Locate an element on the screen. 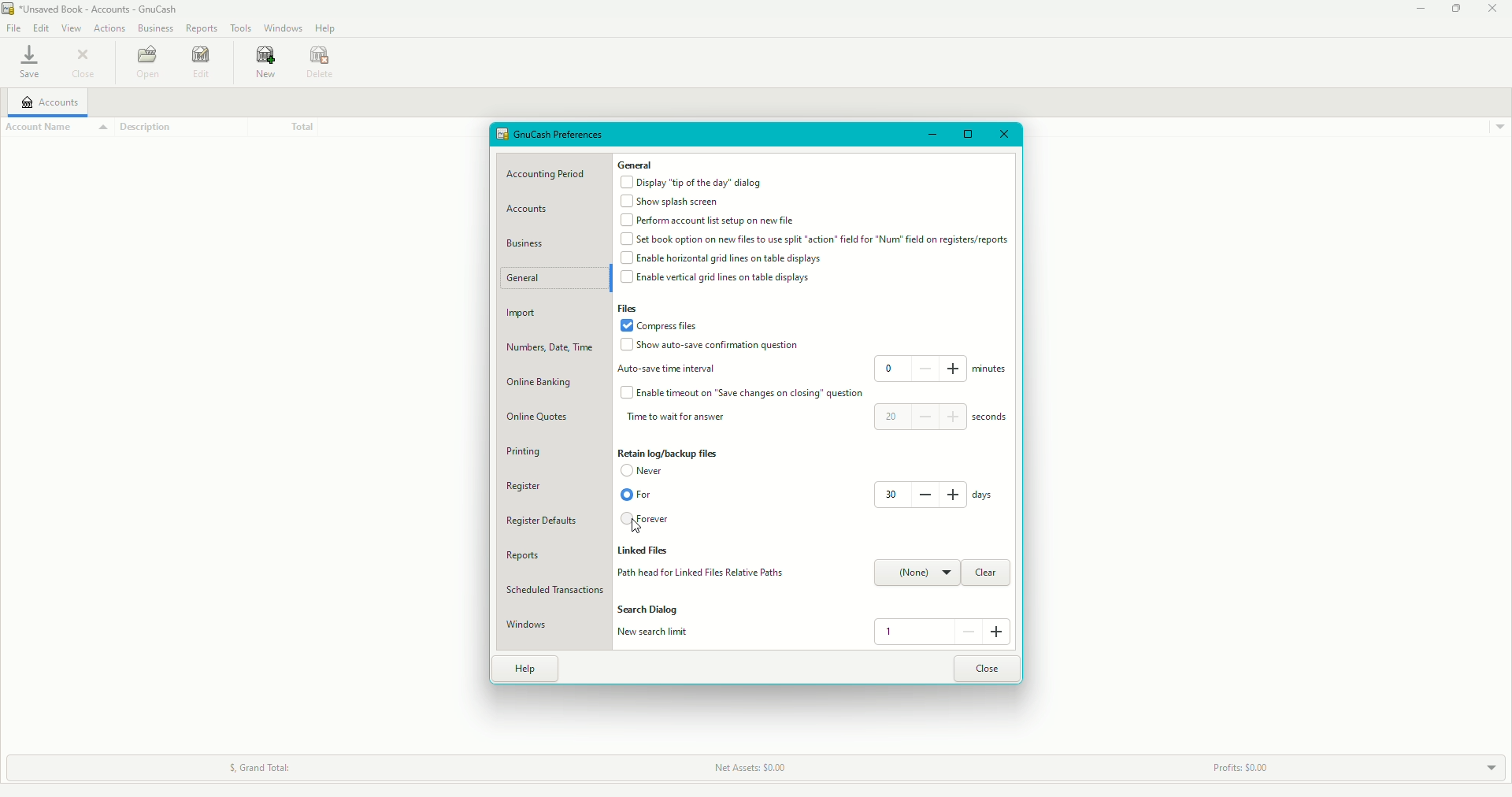 This screenshot has width=1512, height=797. Enable vertical grid is located at coordinates (721, 278).